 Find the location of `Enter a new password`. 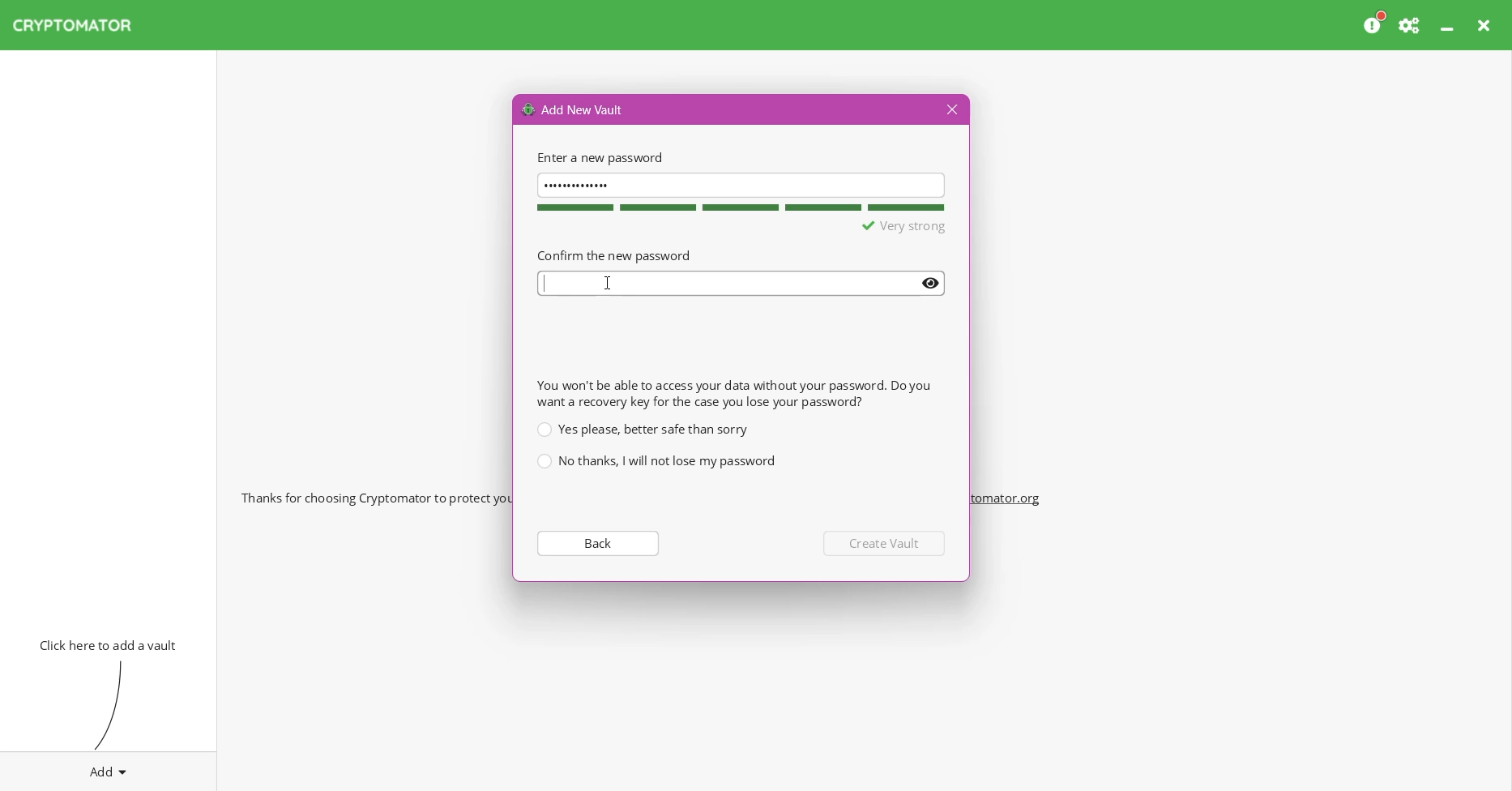

Enter a new password is located at coordinates (598, 157).